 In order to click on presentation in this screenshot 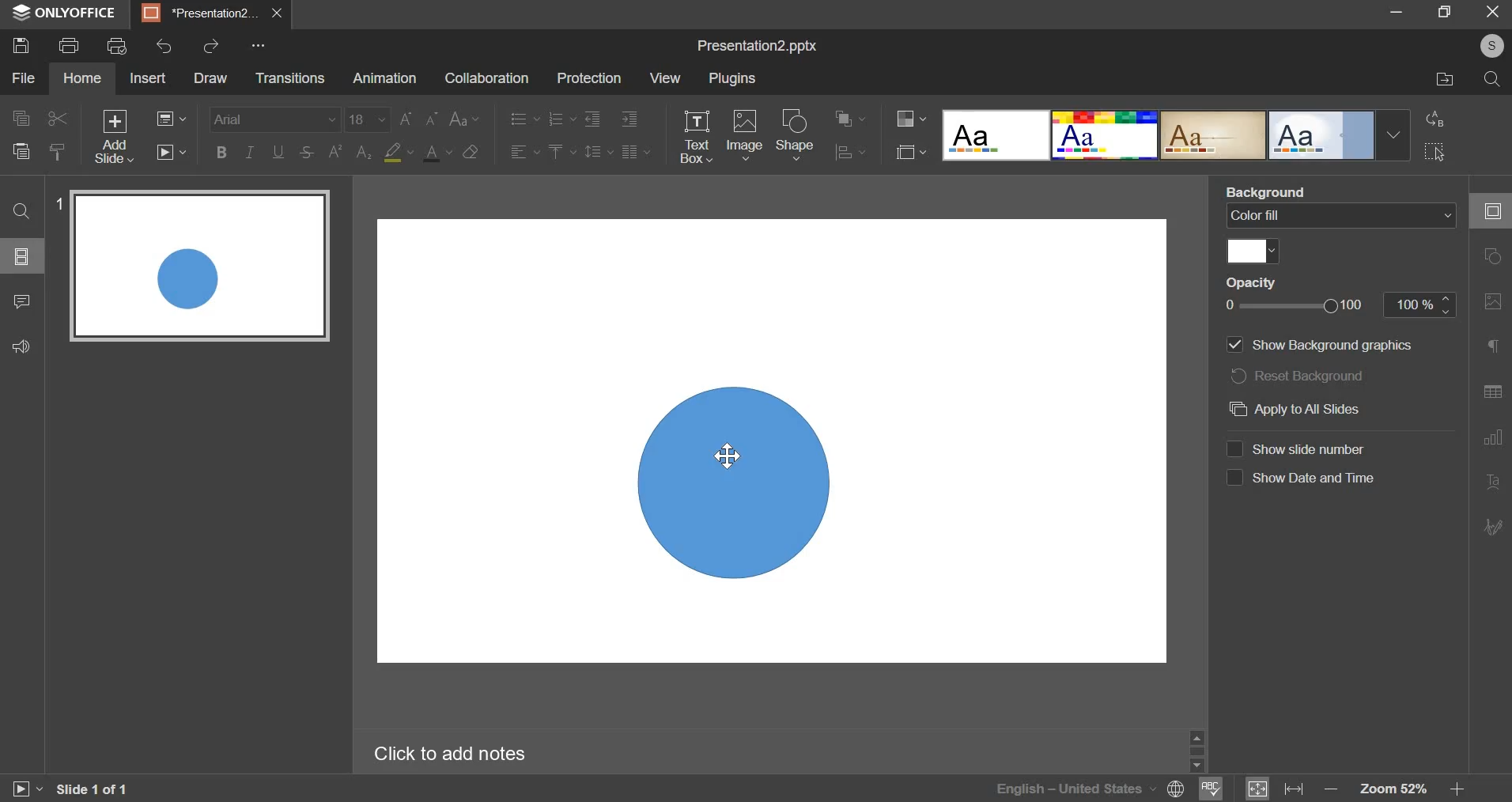, I will do `click(211, 16)`.